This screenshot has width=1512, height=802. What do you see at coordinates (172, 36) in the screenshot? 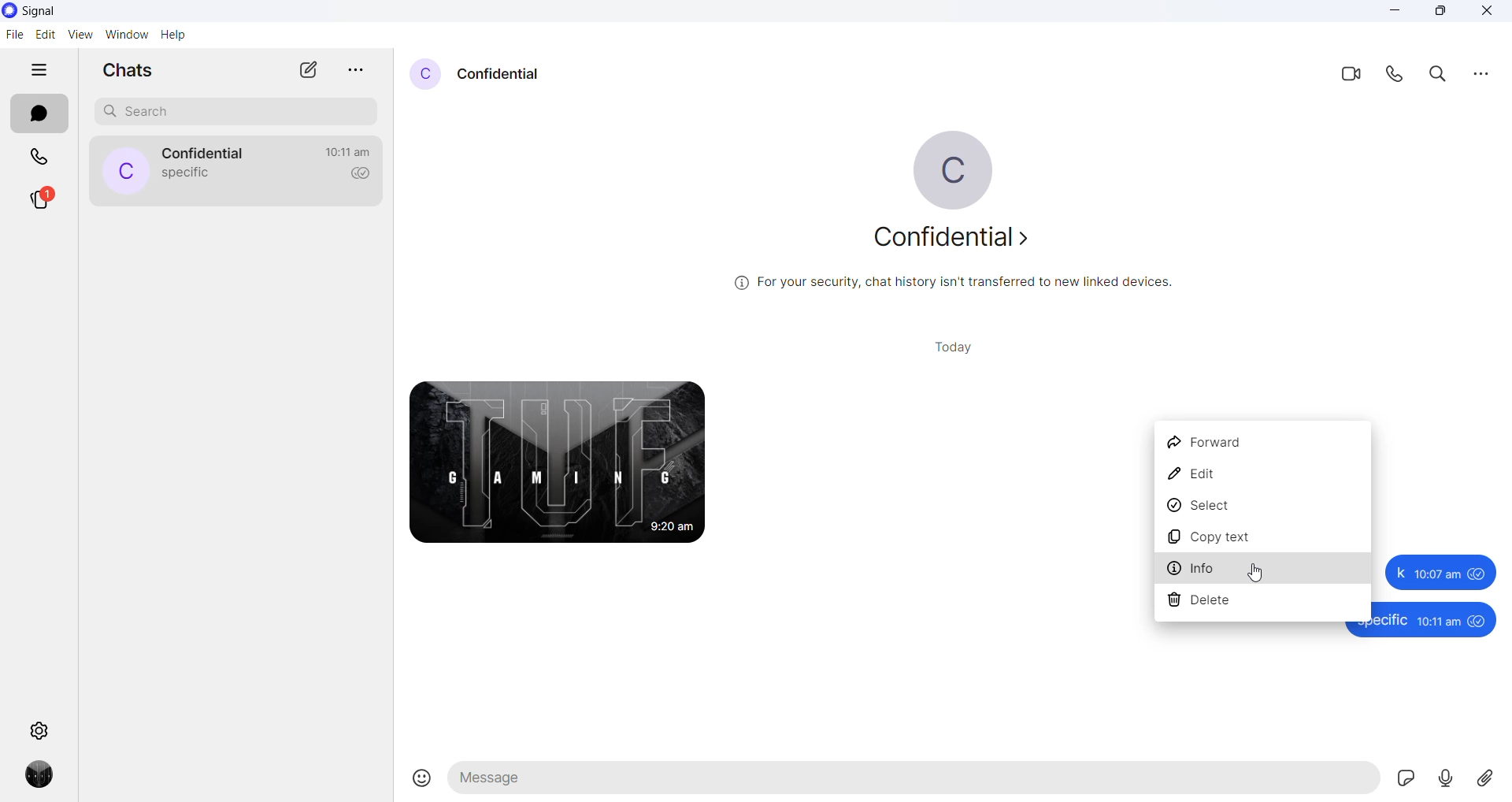
I see `help` at bounding box center [172, 36].